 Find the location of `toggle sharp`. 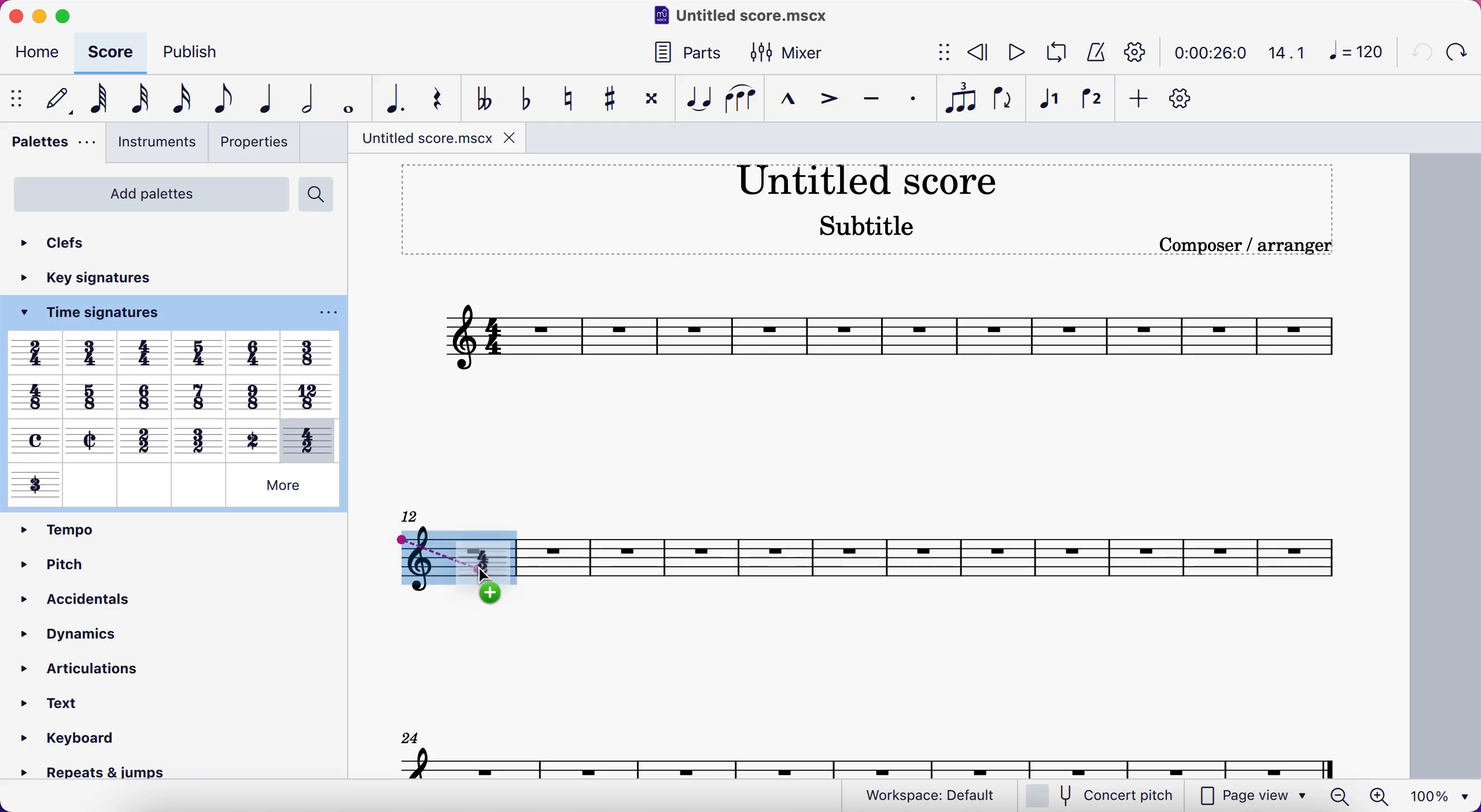

toggle sharp is located at coordinates (607, 97).